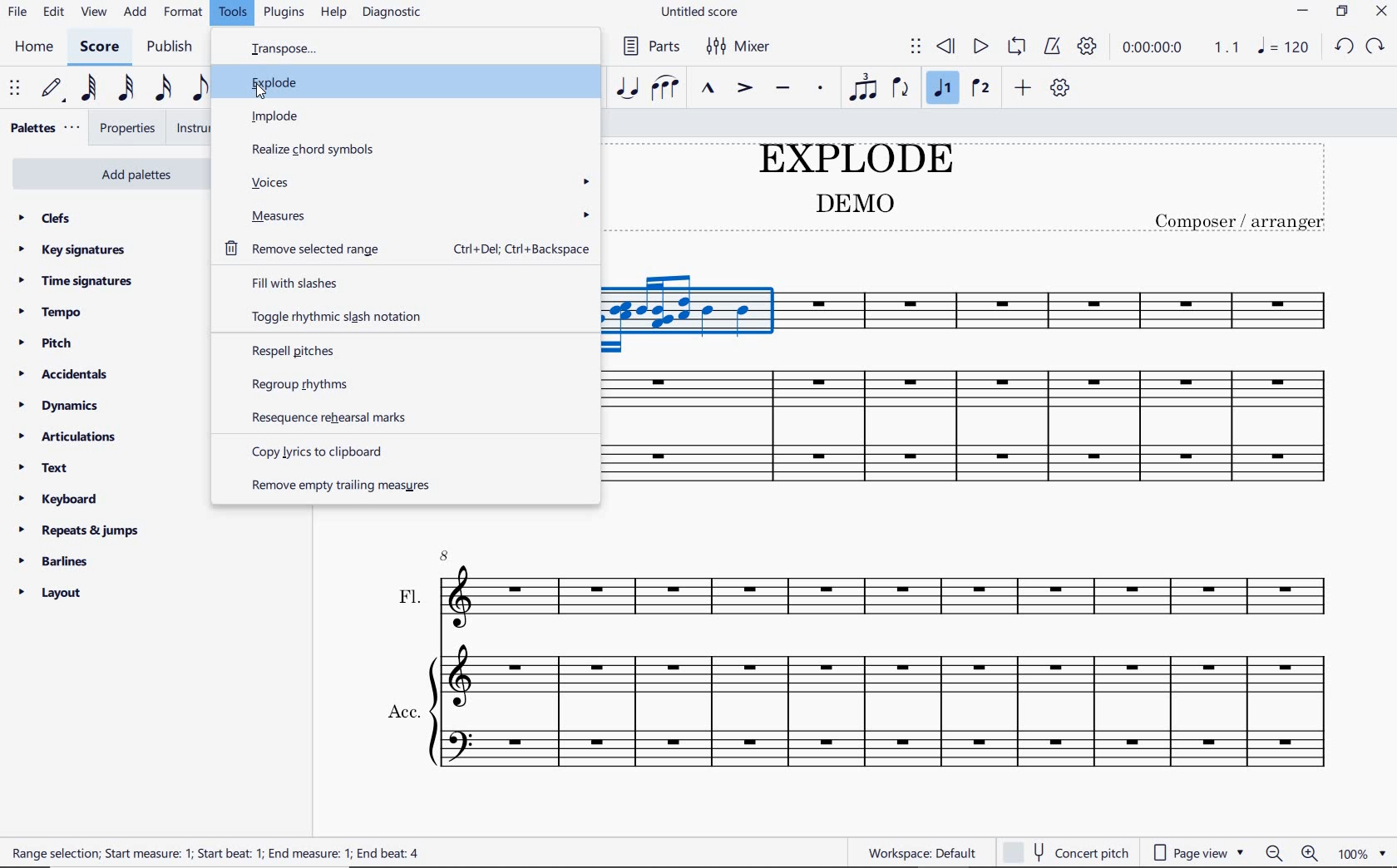 This screenshot has height=868, width=1397. I want to click on remove selected ranges, so click(410, 249).